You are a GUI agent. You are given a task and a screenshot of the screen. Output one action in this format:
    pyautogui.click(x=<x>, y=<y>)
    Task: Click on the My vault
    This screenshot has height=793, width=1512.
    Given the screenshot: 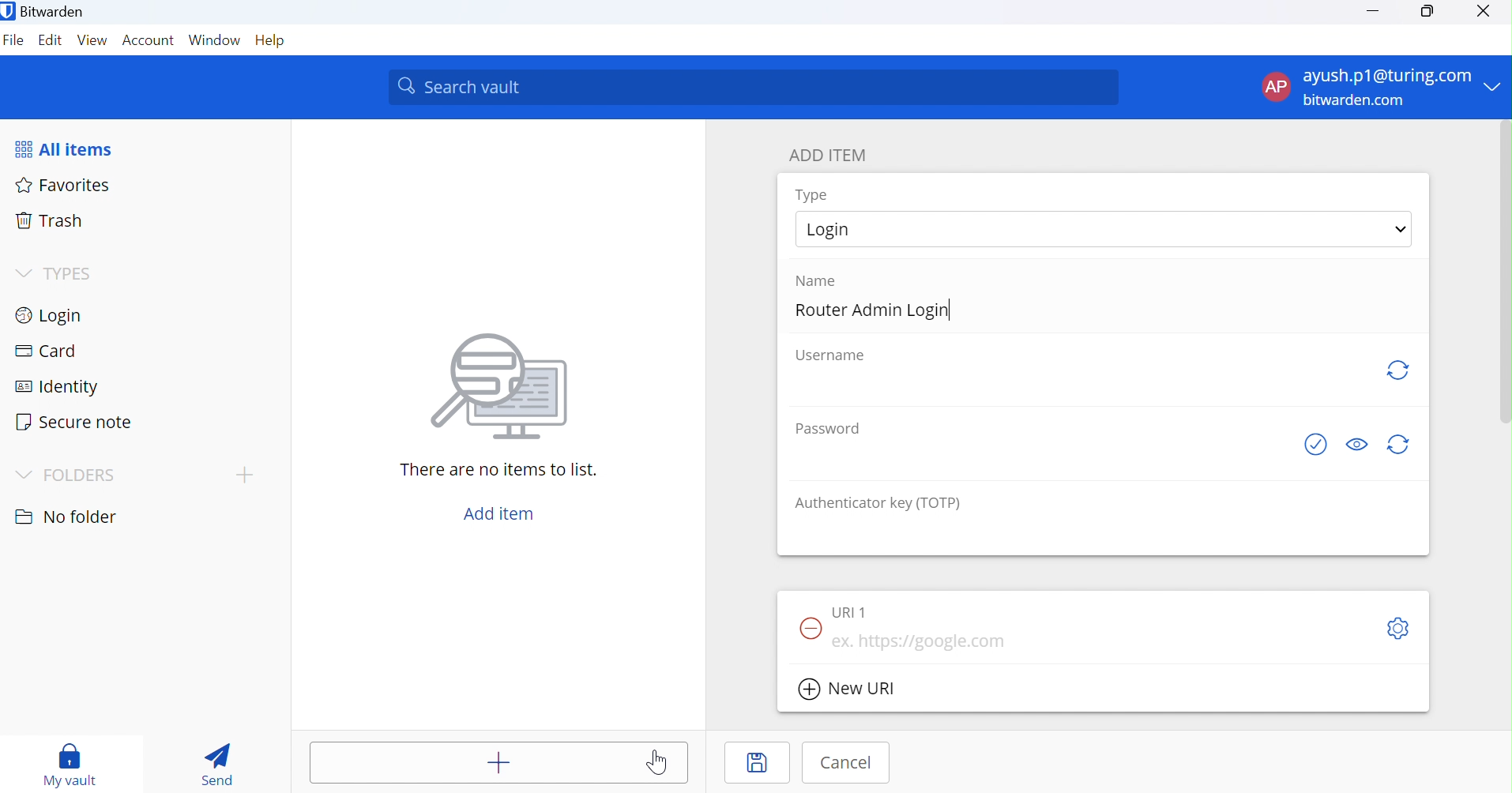 What is the action you would take?
    pyautogui.click(x=70, y=760)
    